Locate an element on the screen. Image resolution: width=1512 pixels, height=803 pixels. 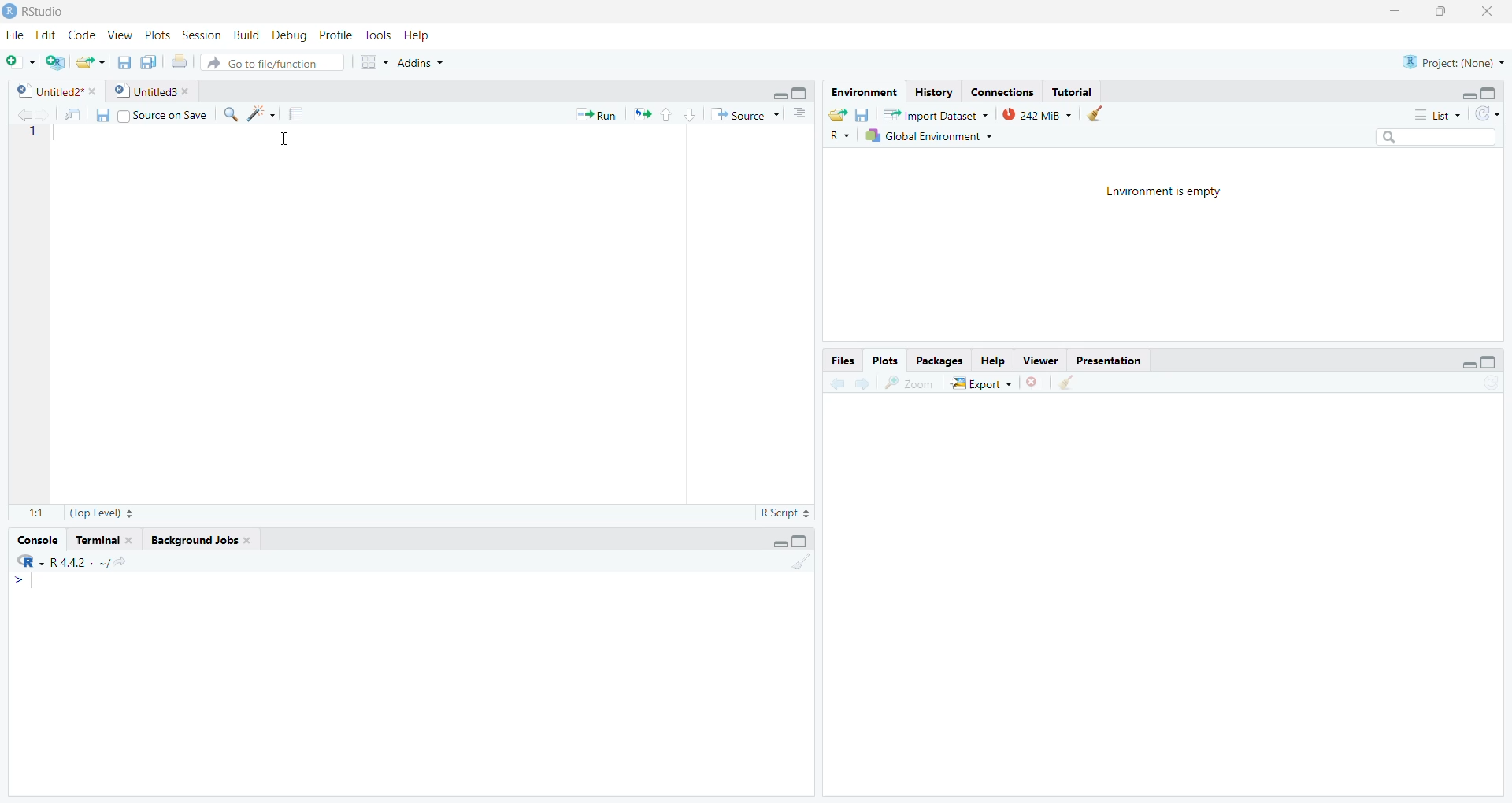
move back is located at coordinates (836, 382).